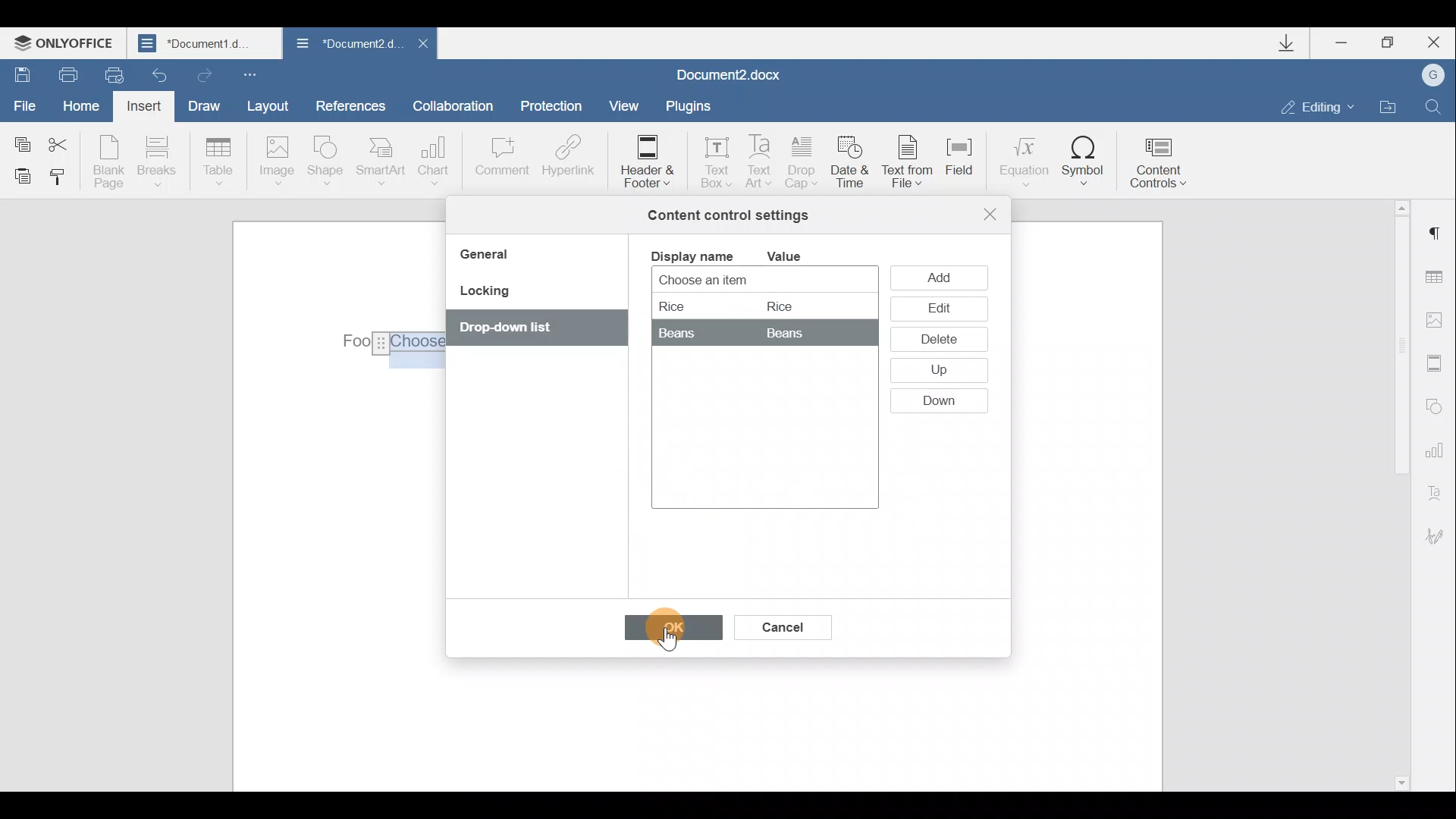 Image resolution: width=1456 pixels, height=819 pixels. What do you see at coordinates (1389, 43) in the screenshot?
I see `Maximize` at bounding box center [1389, 43].